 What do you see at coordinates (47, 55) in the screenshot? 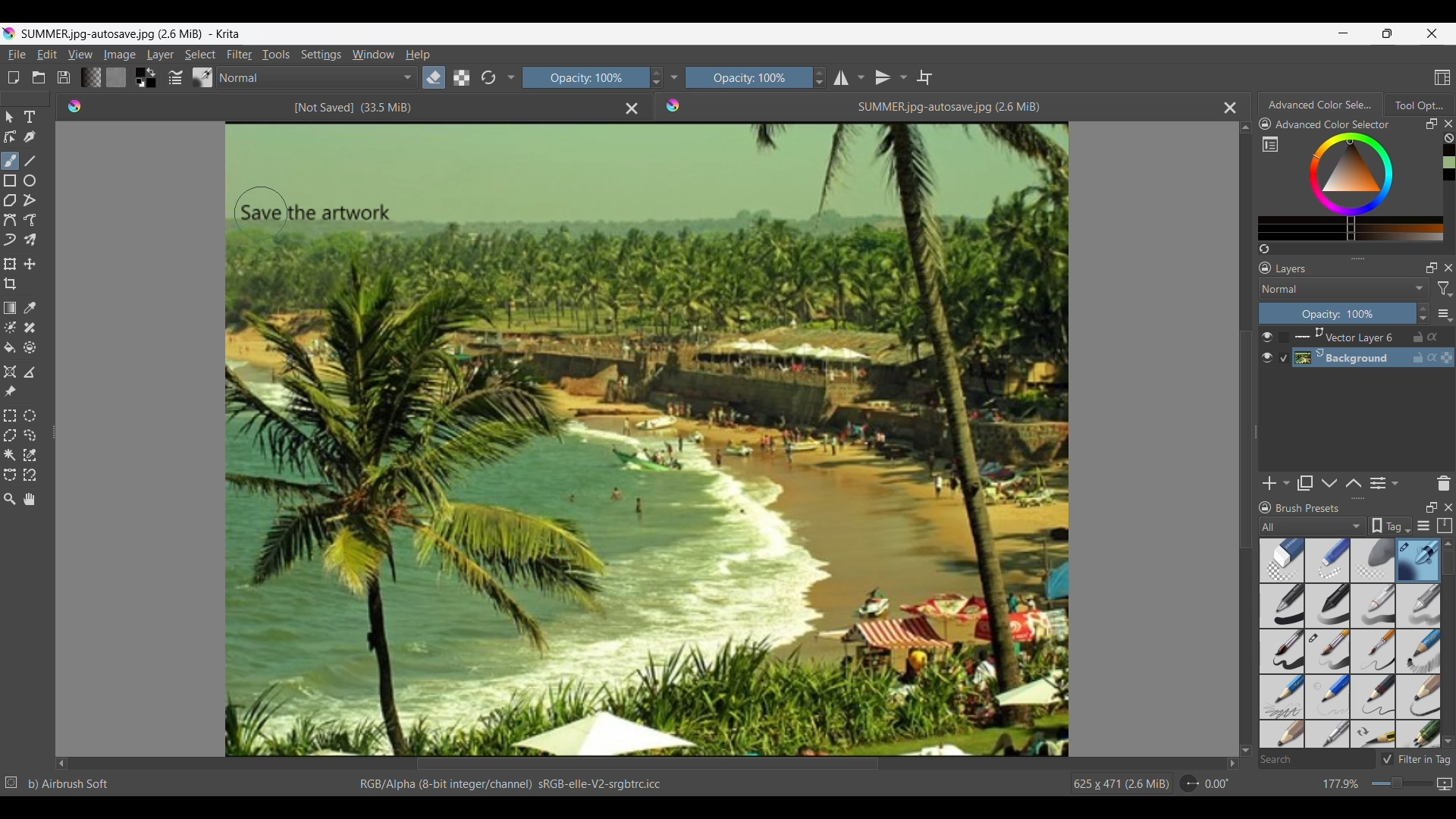
I see `Edit` at bounding box center [47, 55].